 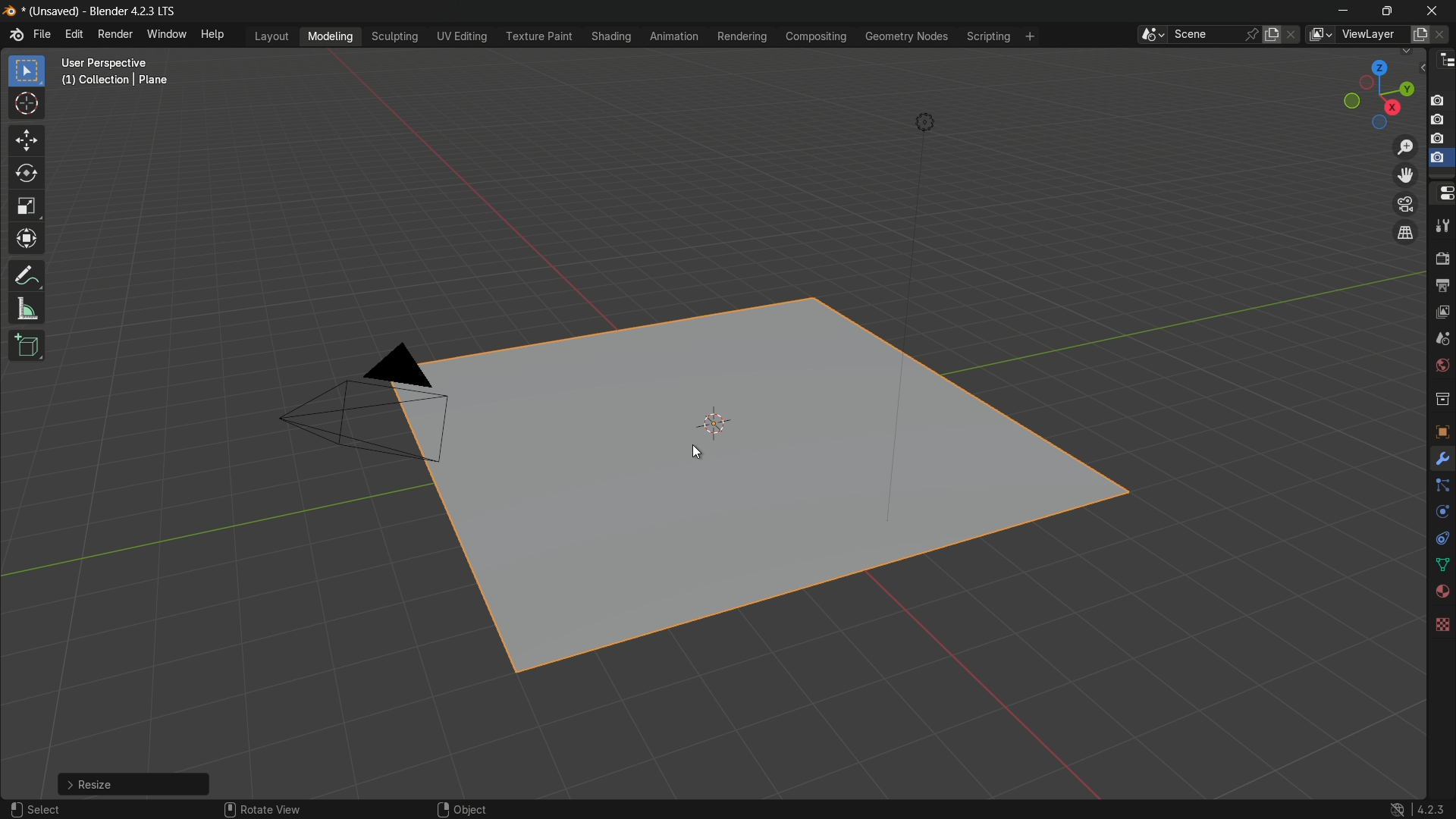 What do you see at coordinates (95, 11) in the screenshot?
I see `unsaved blender 4.2.3 LTS` at bounding box center [95, 11].